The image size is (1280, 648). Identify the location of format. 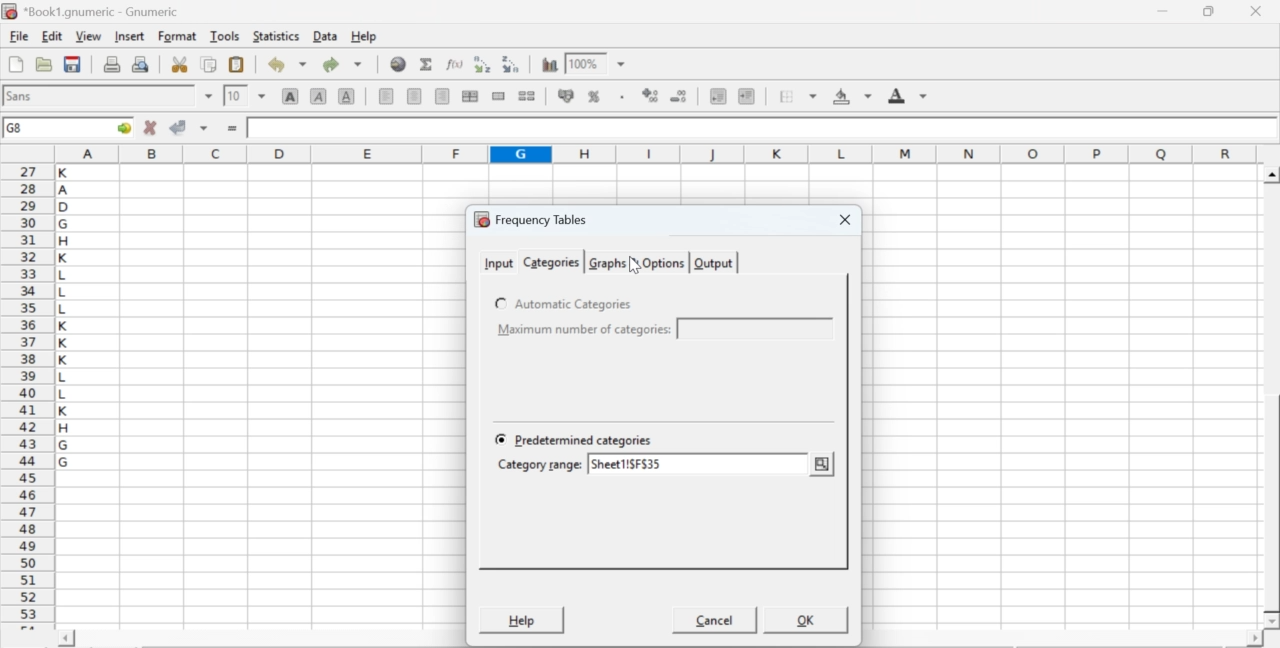
(178, 36).